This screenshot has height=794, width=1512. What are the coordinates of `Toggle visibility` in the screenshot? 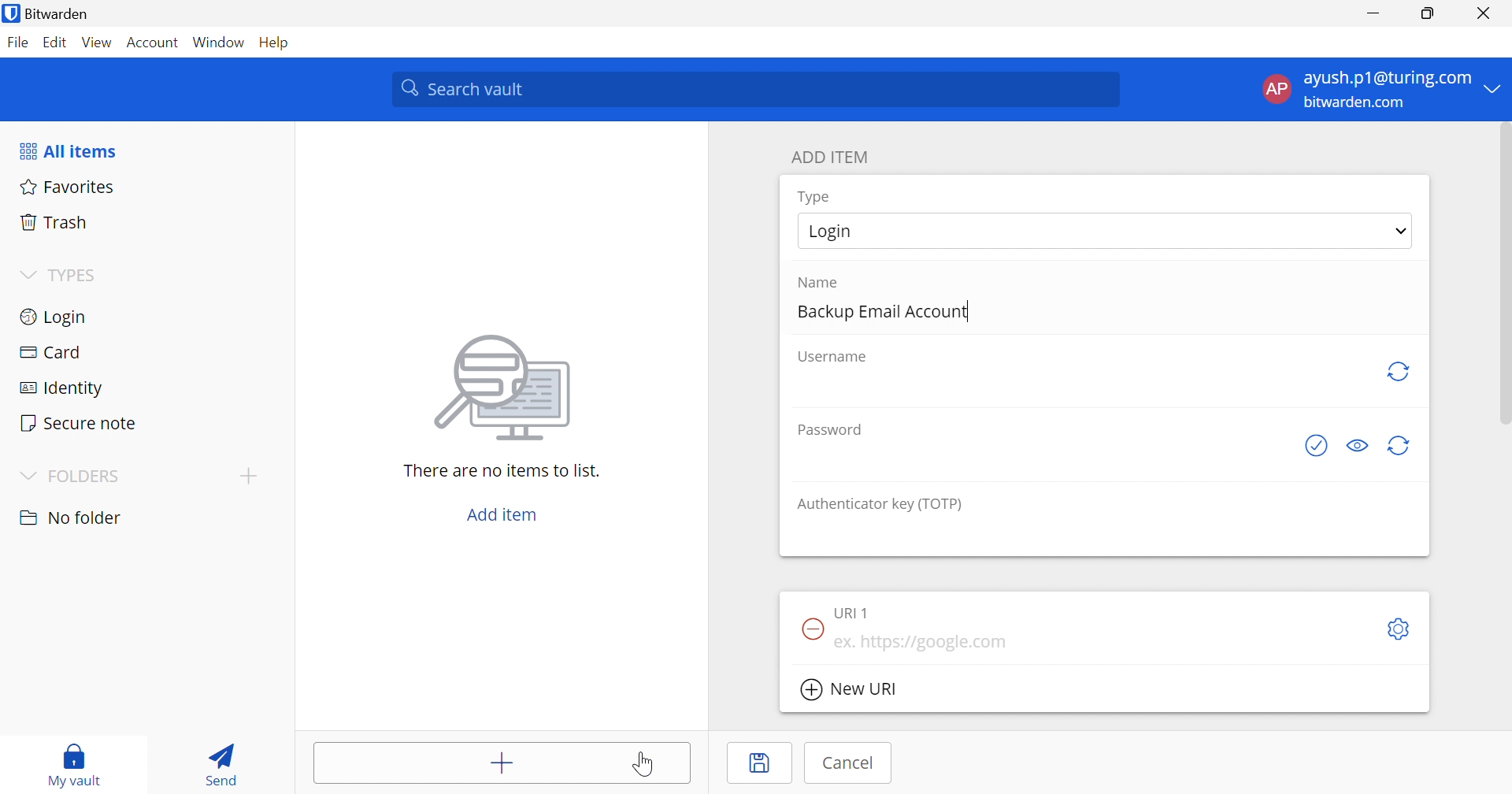 It's located at (1355, 446).